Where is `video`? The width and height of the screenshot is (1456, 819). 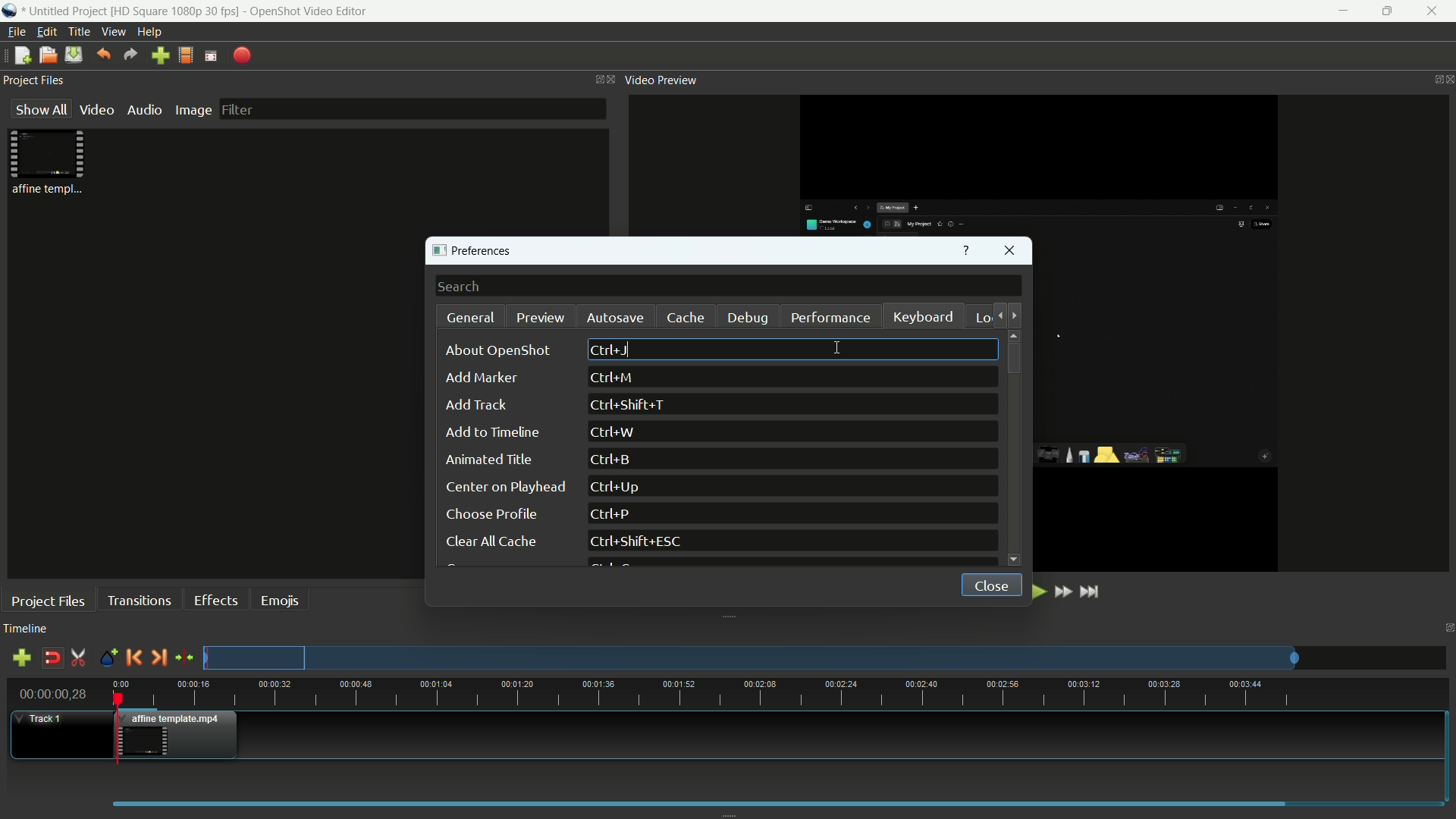
video is located at coordinates (96, 110).